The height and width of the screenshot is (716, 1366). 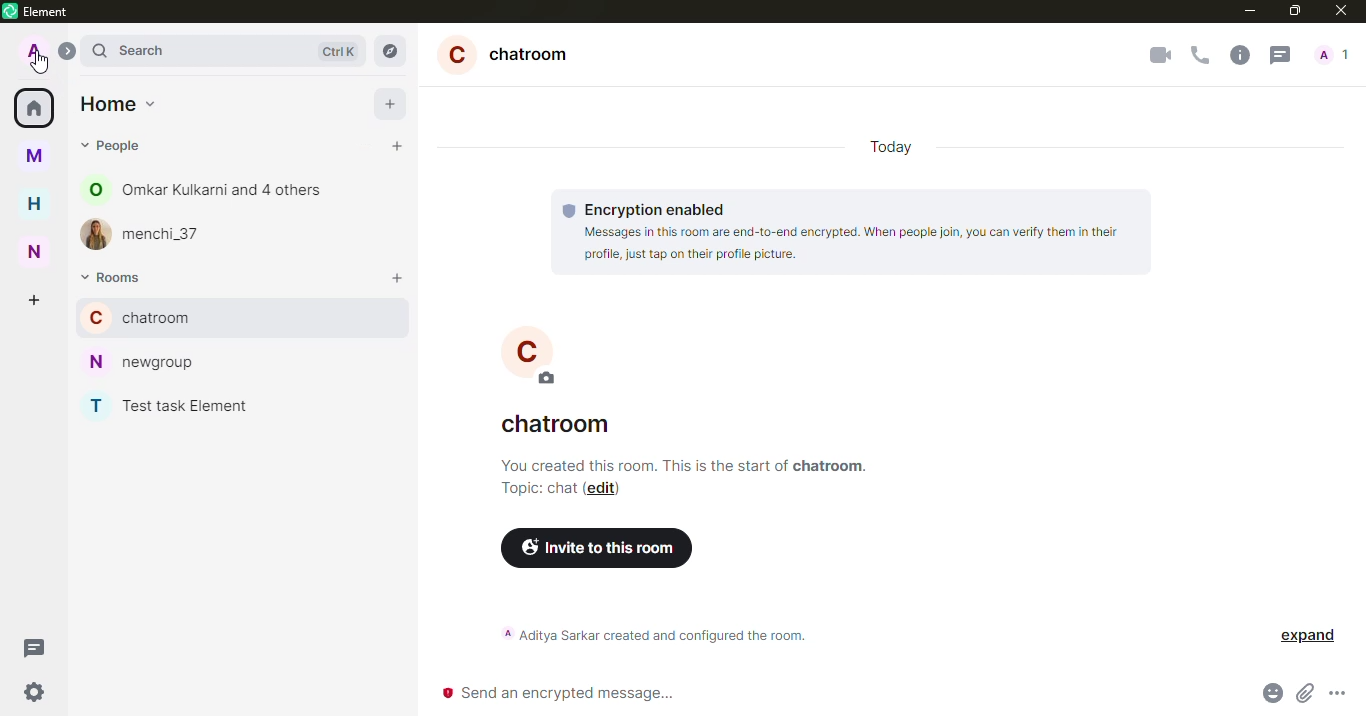 I want to click on ctrl K, so click(x=335, y=51).